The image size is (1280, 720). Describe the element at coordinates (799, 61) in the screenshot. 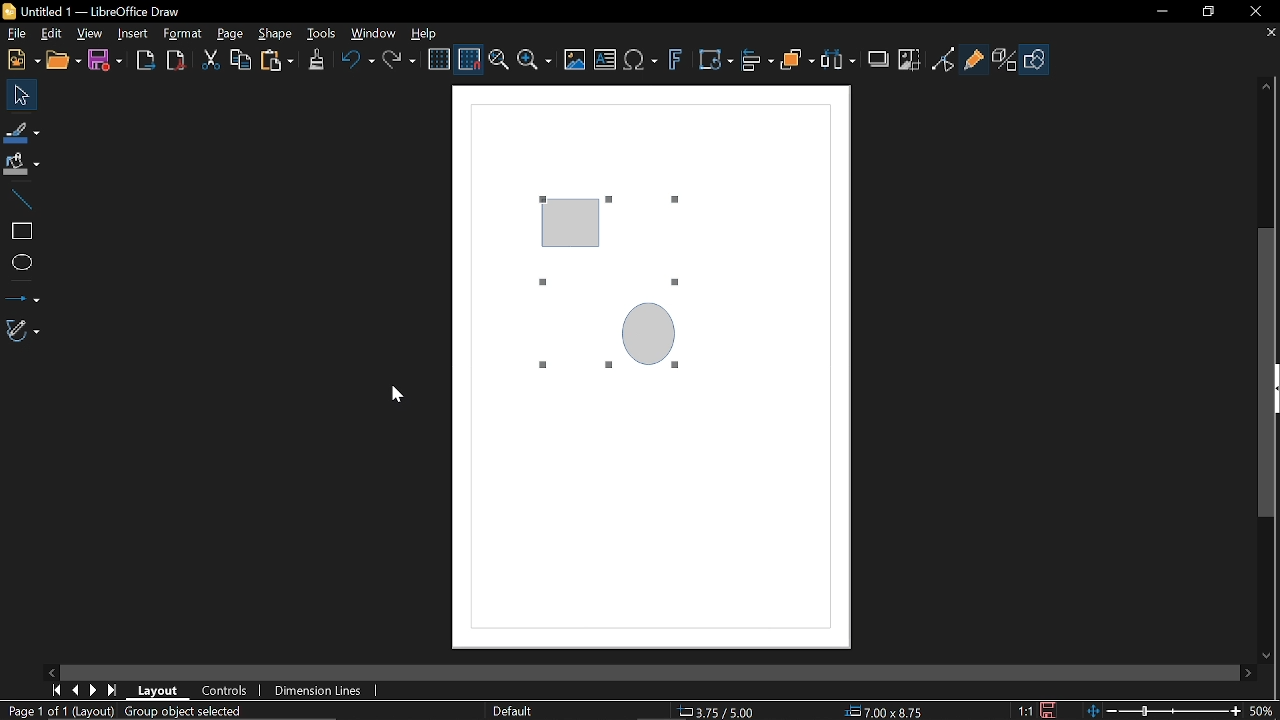

I see `Arrange` at that location.